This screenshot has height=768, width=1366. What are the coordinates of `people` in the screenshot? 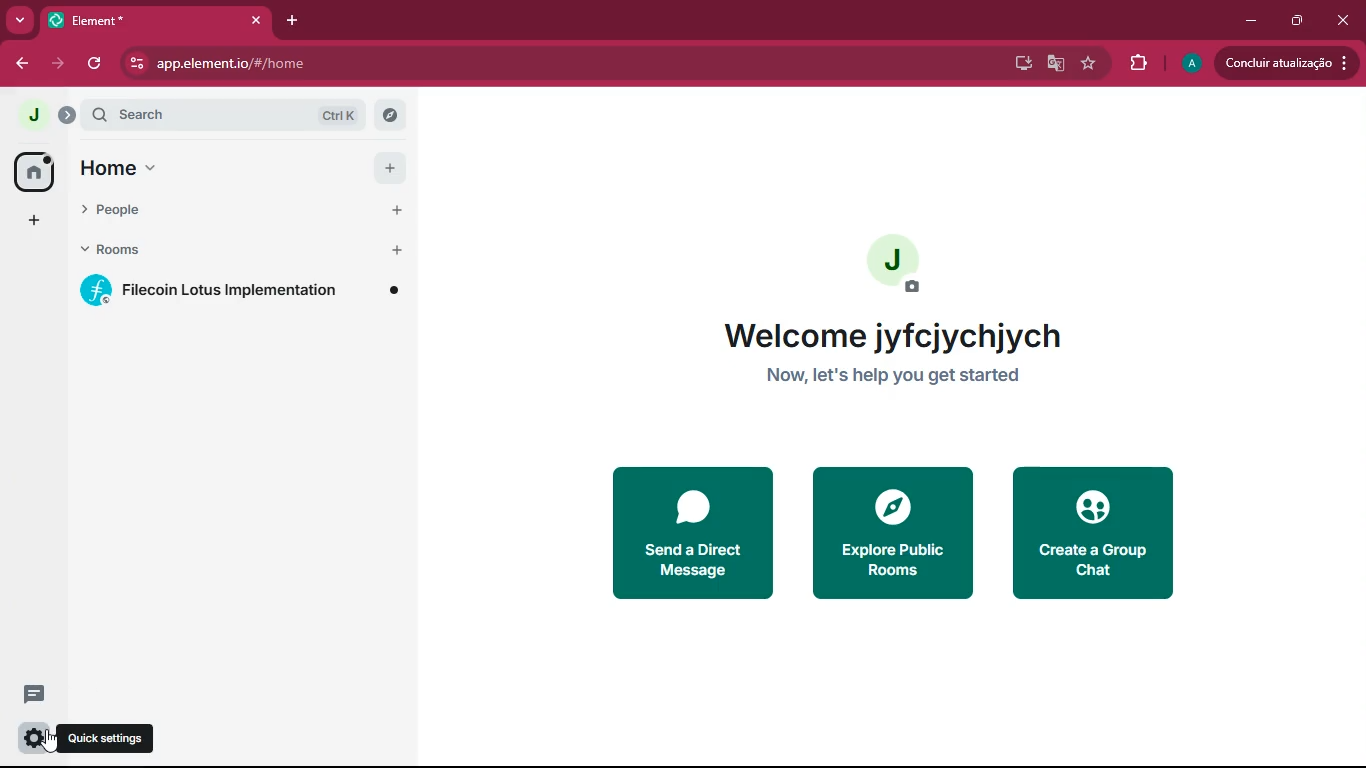 It's located at (195, 212).